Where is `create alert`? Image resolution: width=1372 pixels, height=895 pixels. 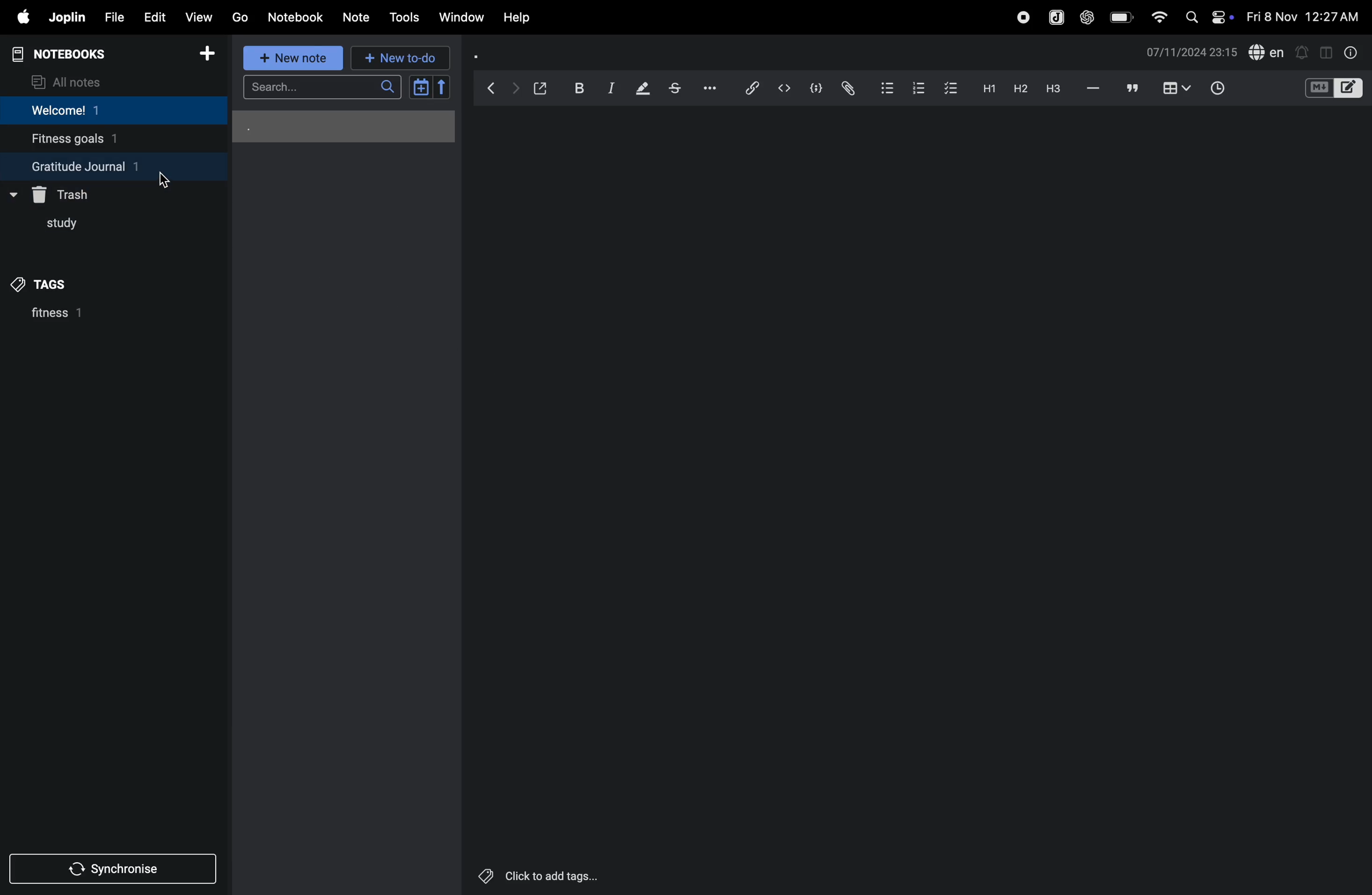
create alert is located at coordinates (1303, 54).